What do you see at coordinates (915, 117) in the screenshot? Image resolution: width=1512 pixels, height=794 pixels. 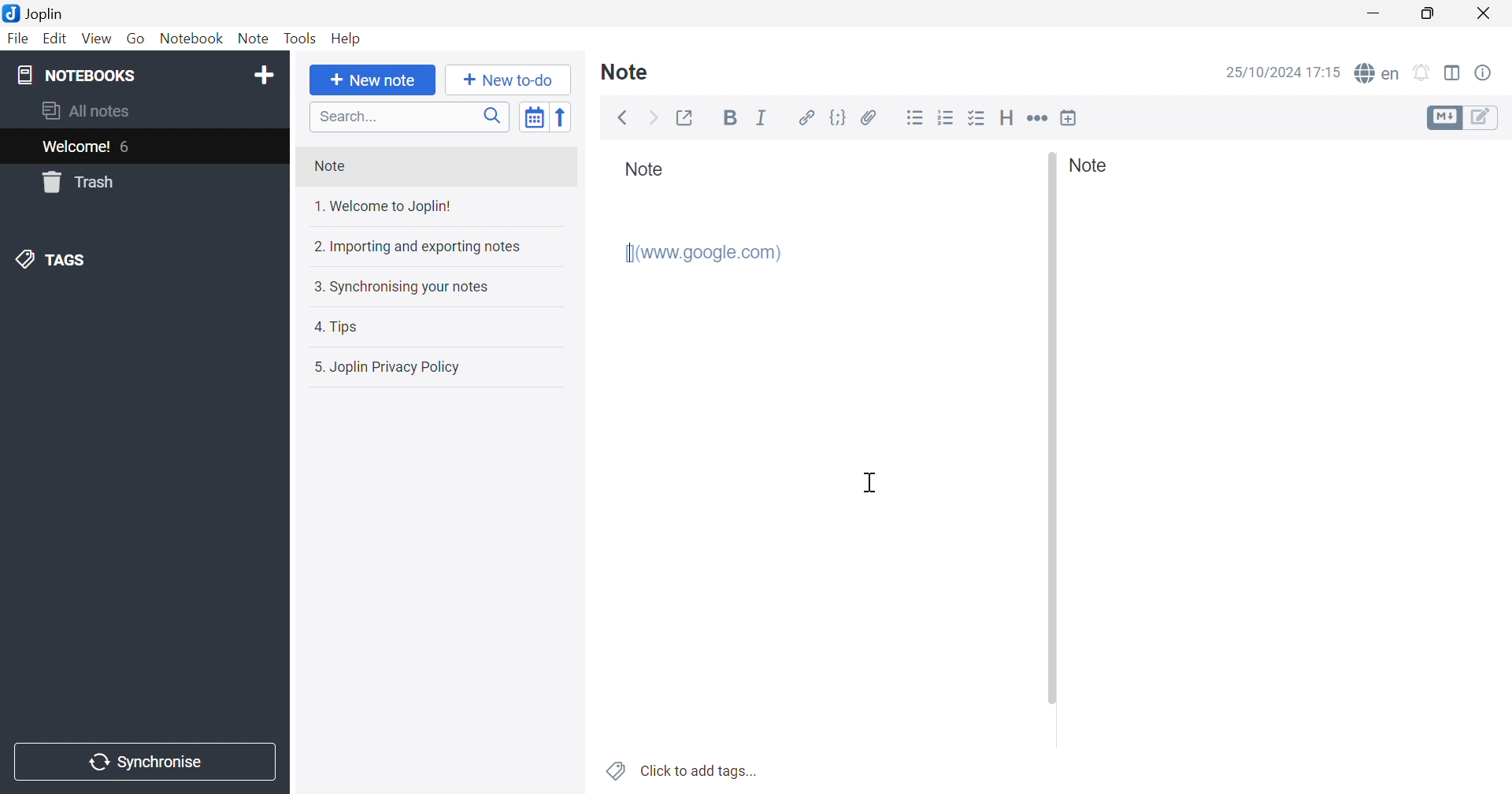 I see `Bulleted List` at bounding box center [915, 117].